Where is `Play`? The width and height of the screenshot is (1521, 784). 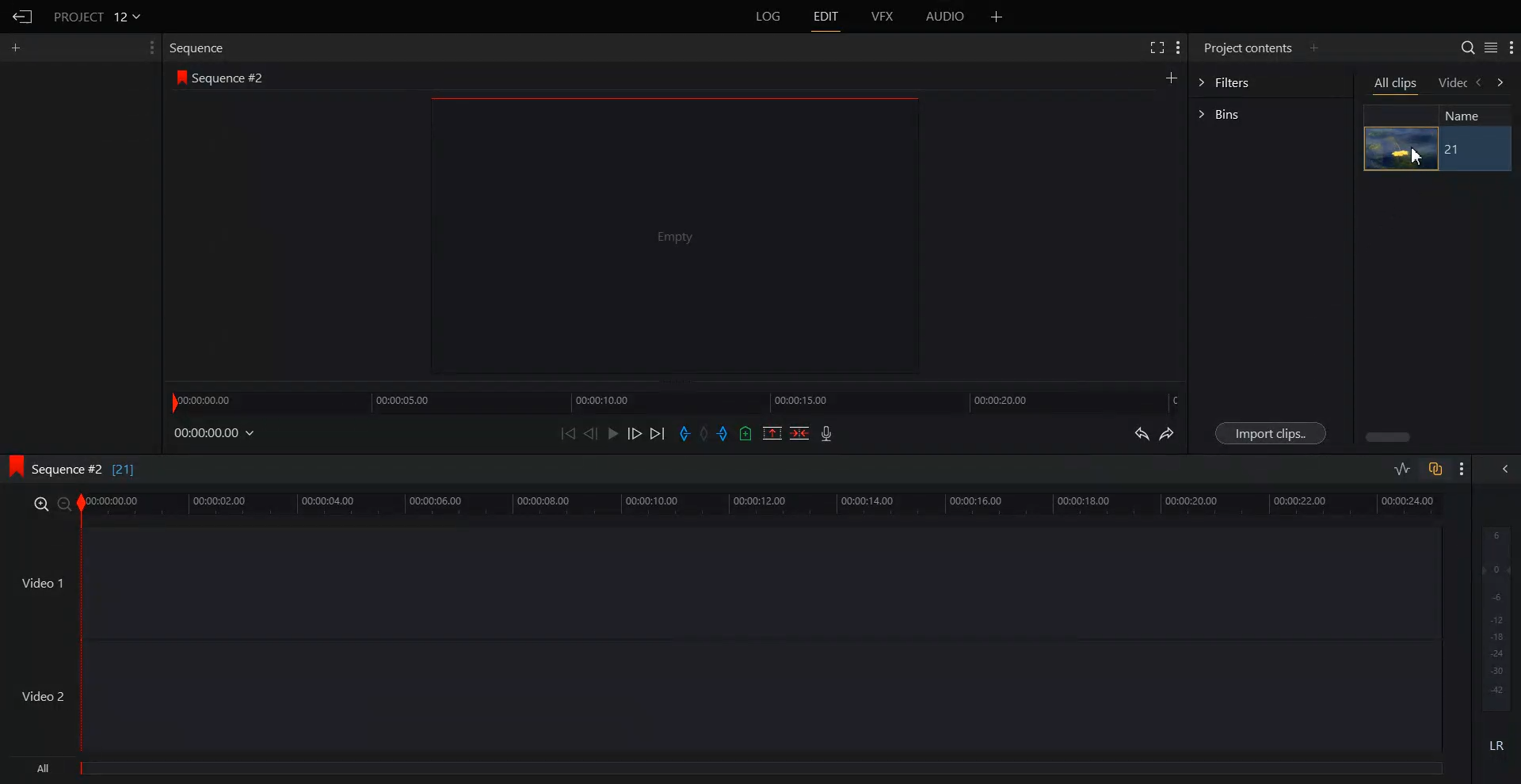 Play is located at coordinates (612, 433).